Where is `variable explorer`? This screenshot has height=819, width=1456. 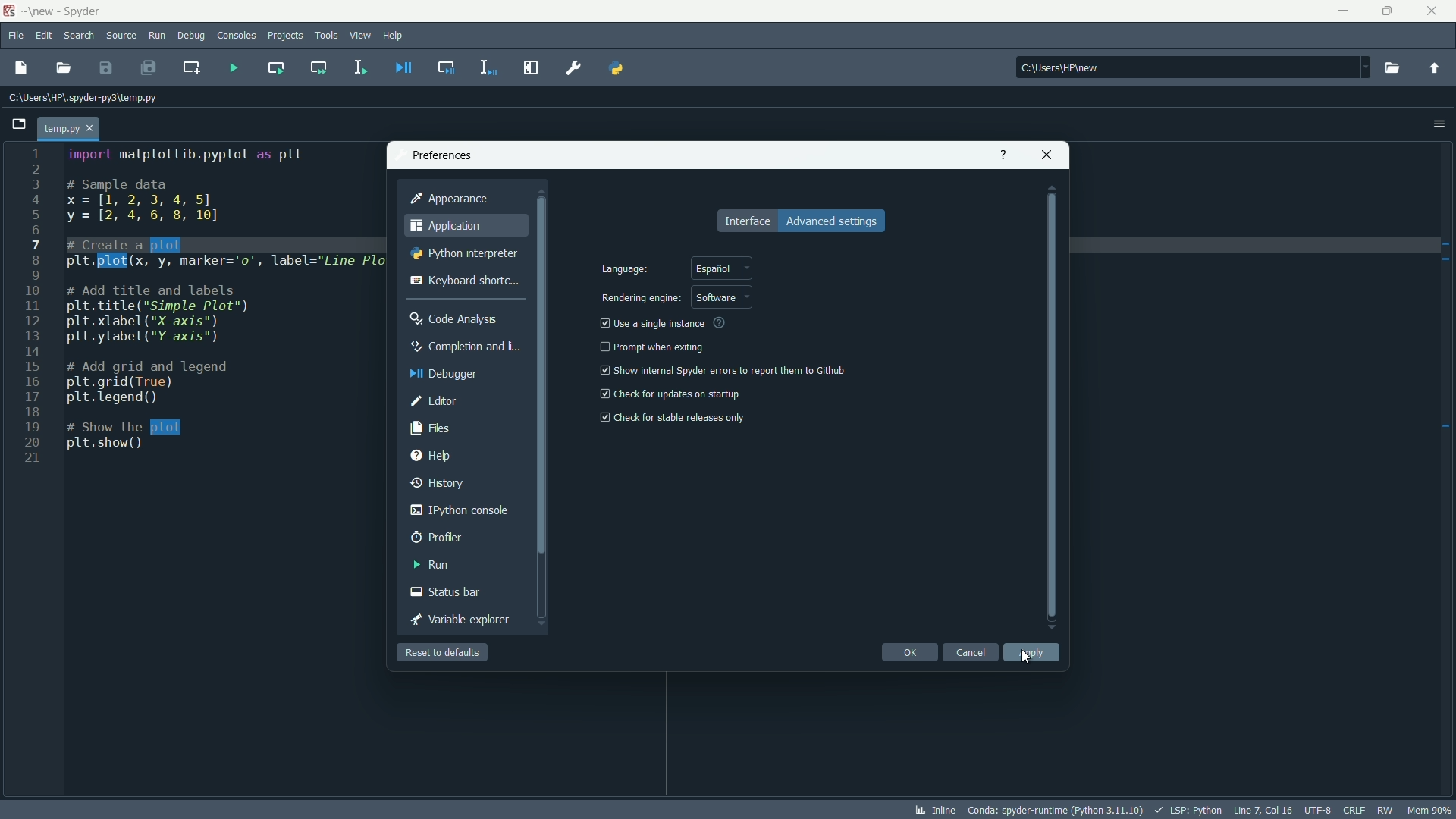
variable explorer is located at coordinates (460, 620).